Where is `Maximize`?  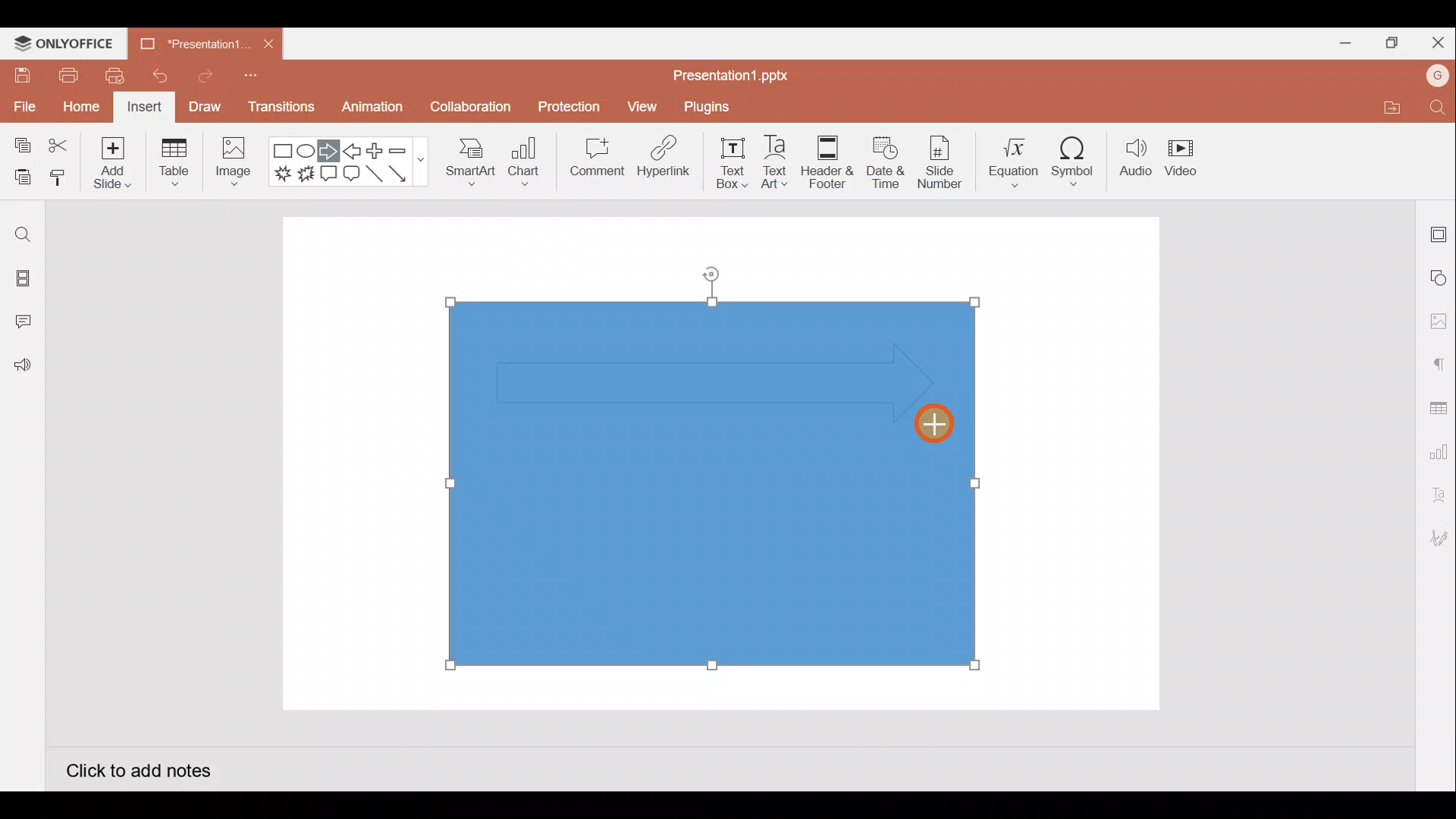 Maximize is located at coordinates (1388, 43).